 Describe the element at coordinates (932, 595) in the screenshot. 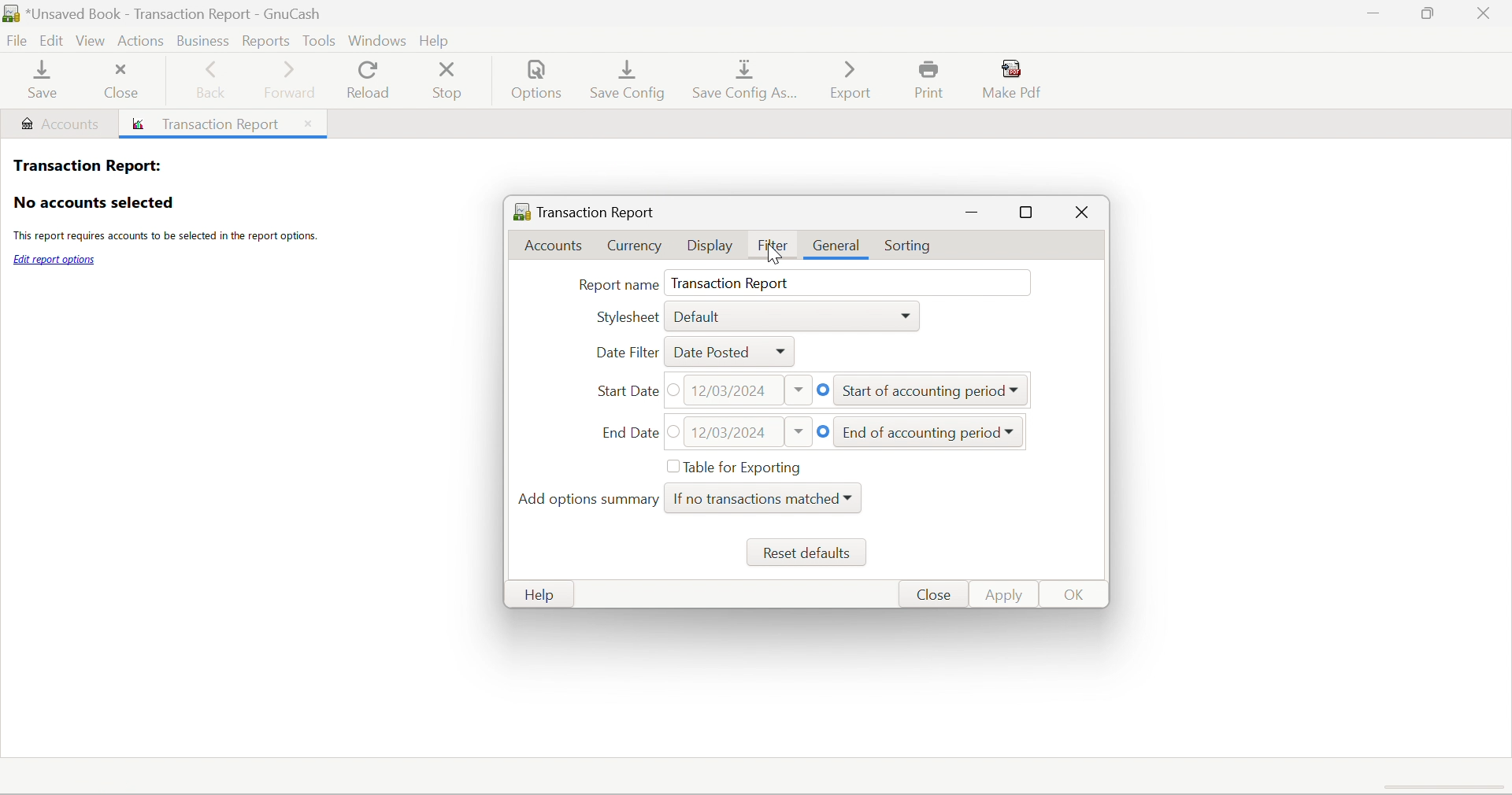

I see `Close` at that location.